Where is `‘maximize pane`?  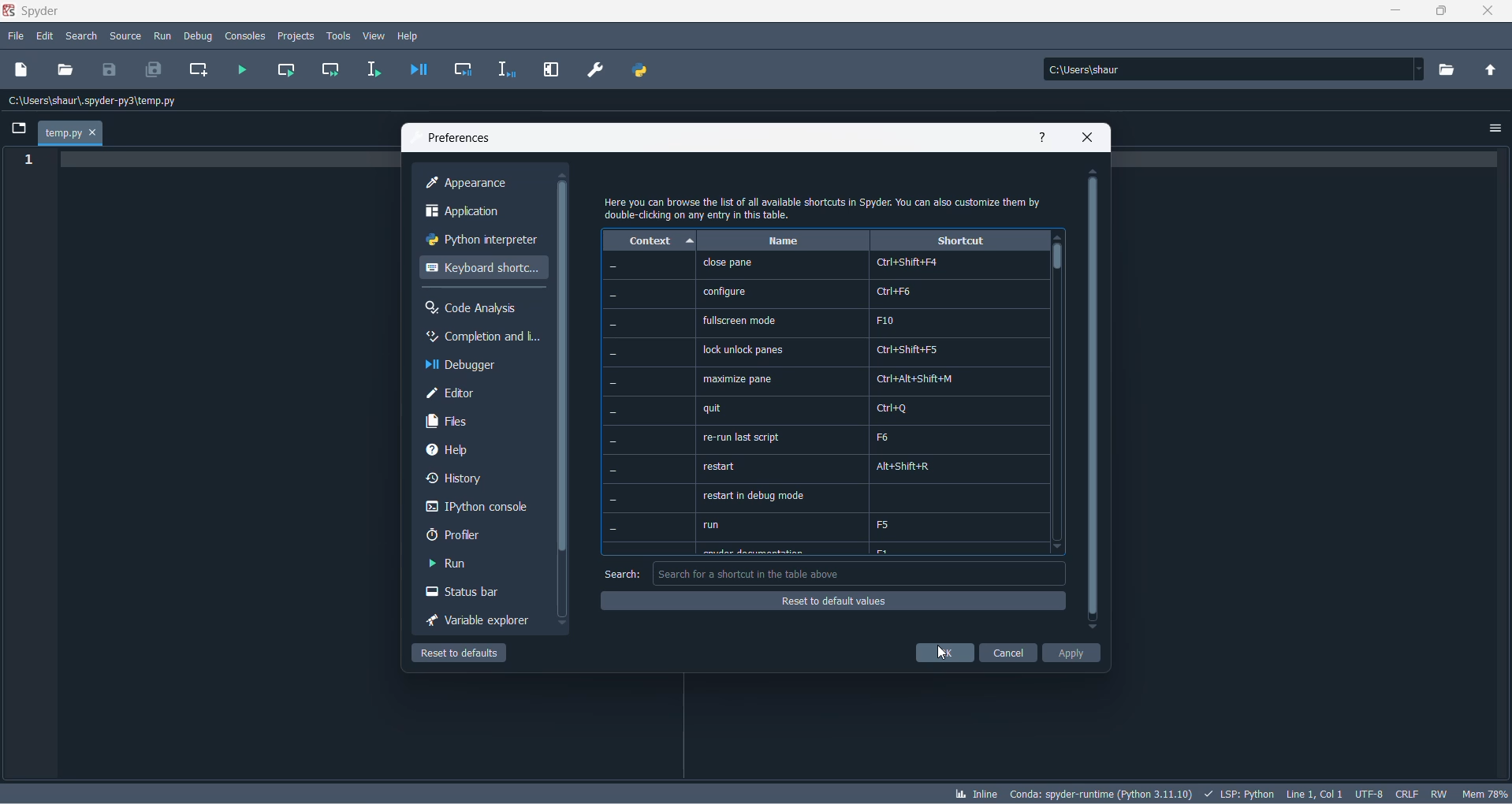 ‘maximize pane is located at coordinates (736, 378).